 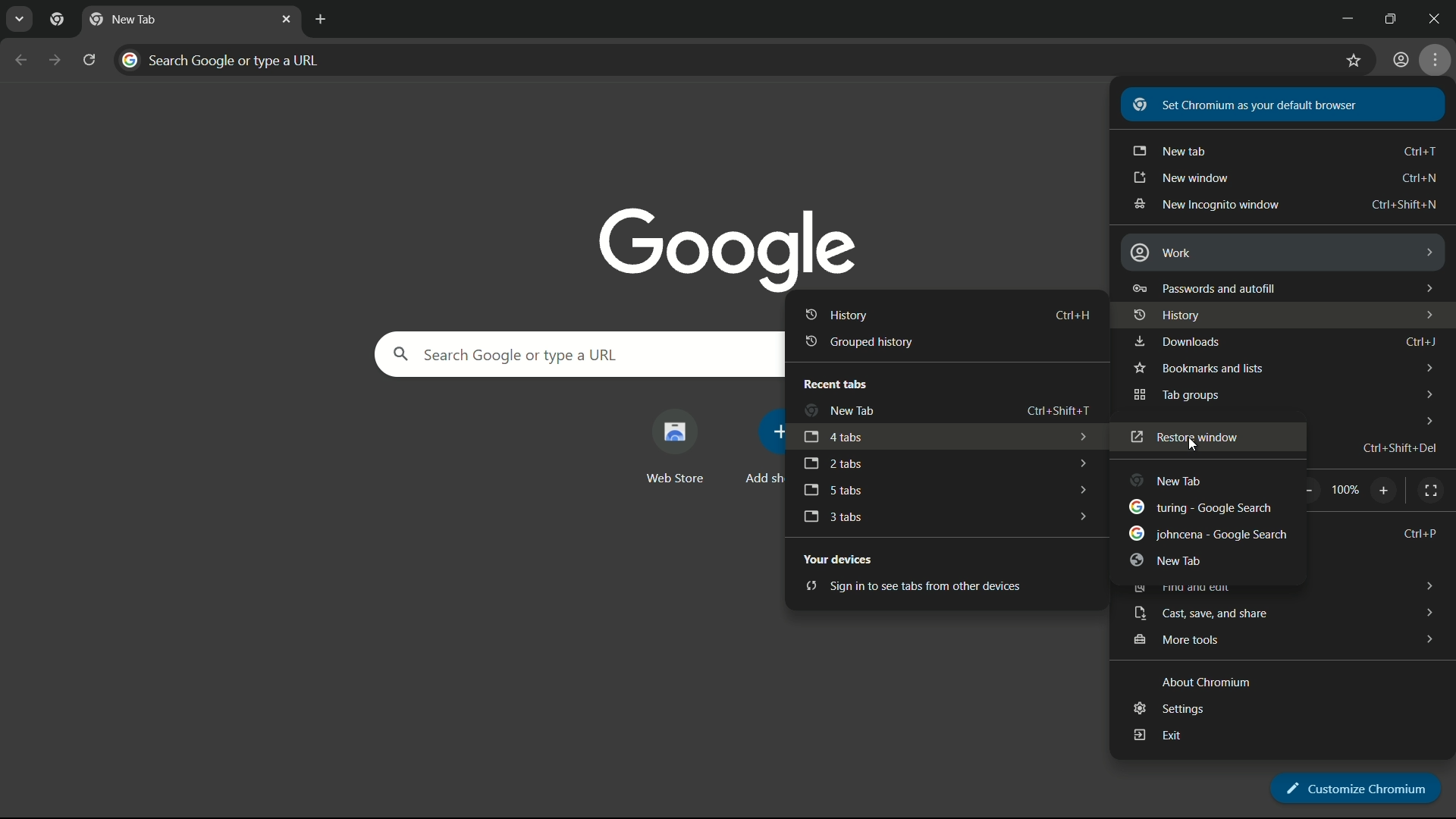 I want to click on shortcut key, so click(x=1398, y=449).